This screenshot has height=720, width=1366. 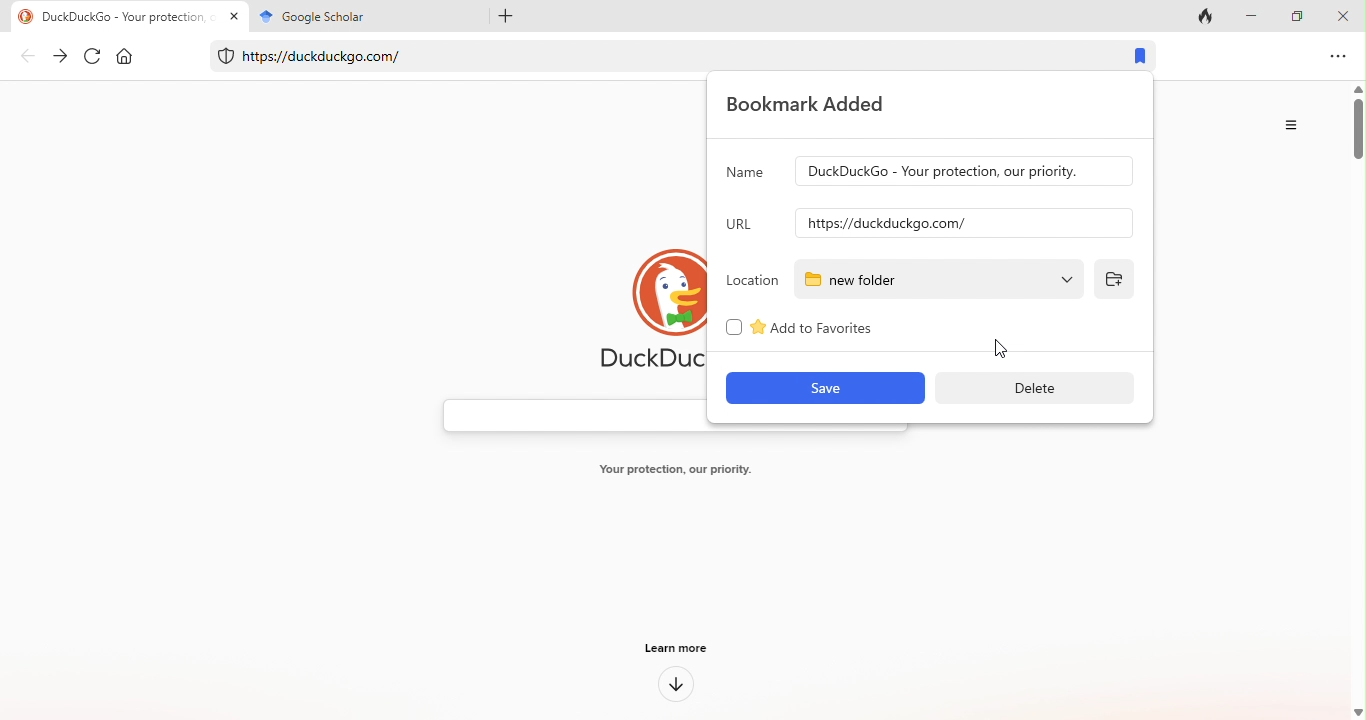 What do you see at coordinates (814, 326) in the screenshot?
I see `add to favourites` at bounding box center [814, 326].